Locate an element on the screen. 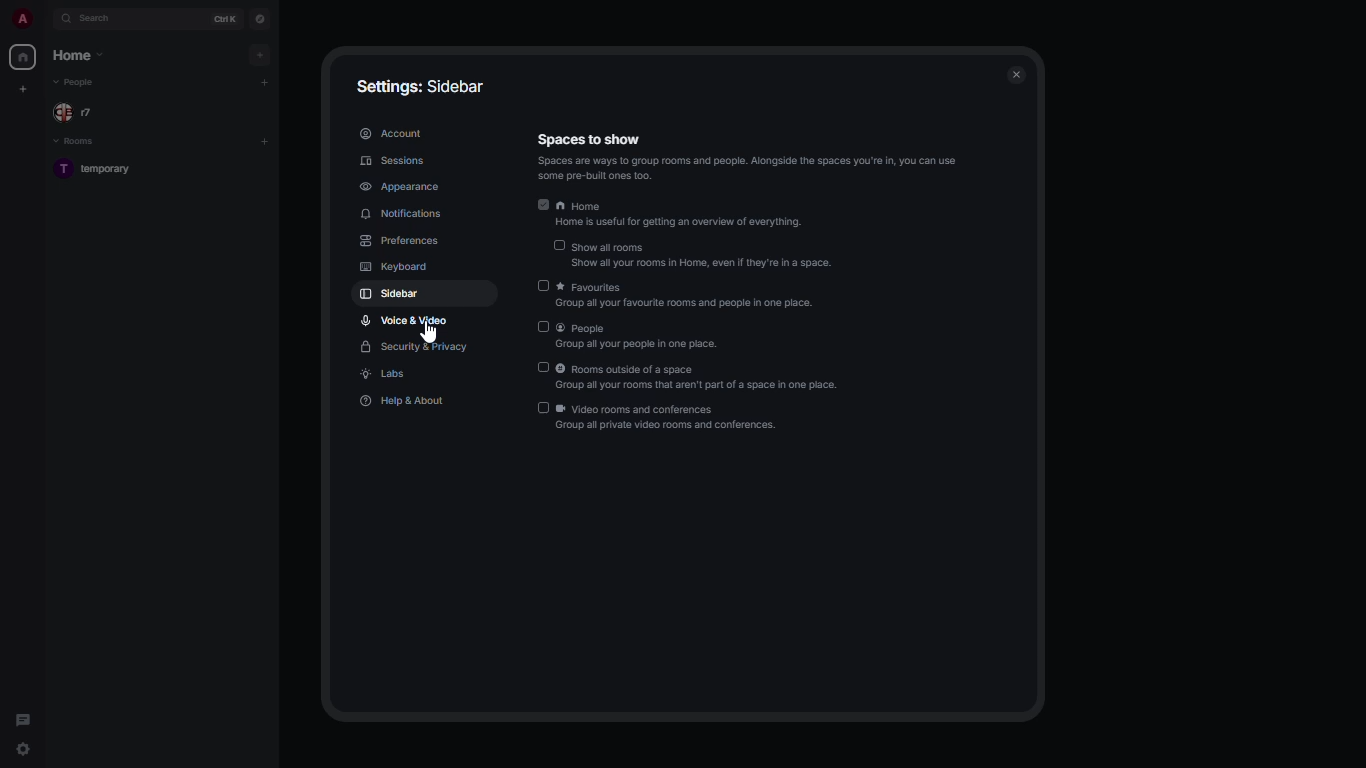 This screenshot has width=1366, height=768. home is located at coordinates (683, 216).